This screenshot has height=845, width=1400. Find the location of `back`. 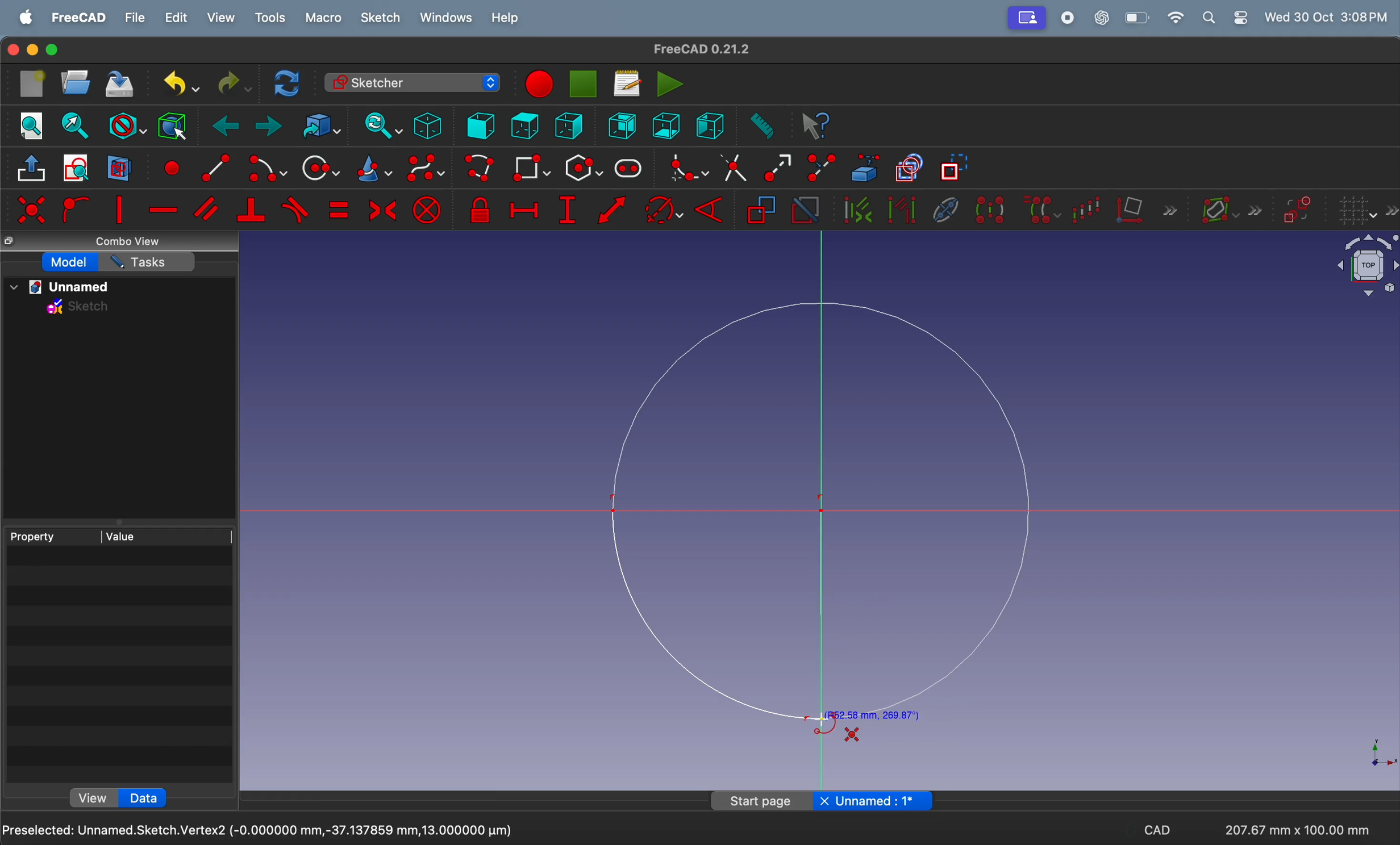

back is located at coordinates (228, 127).